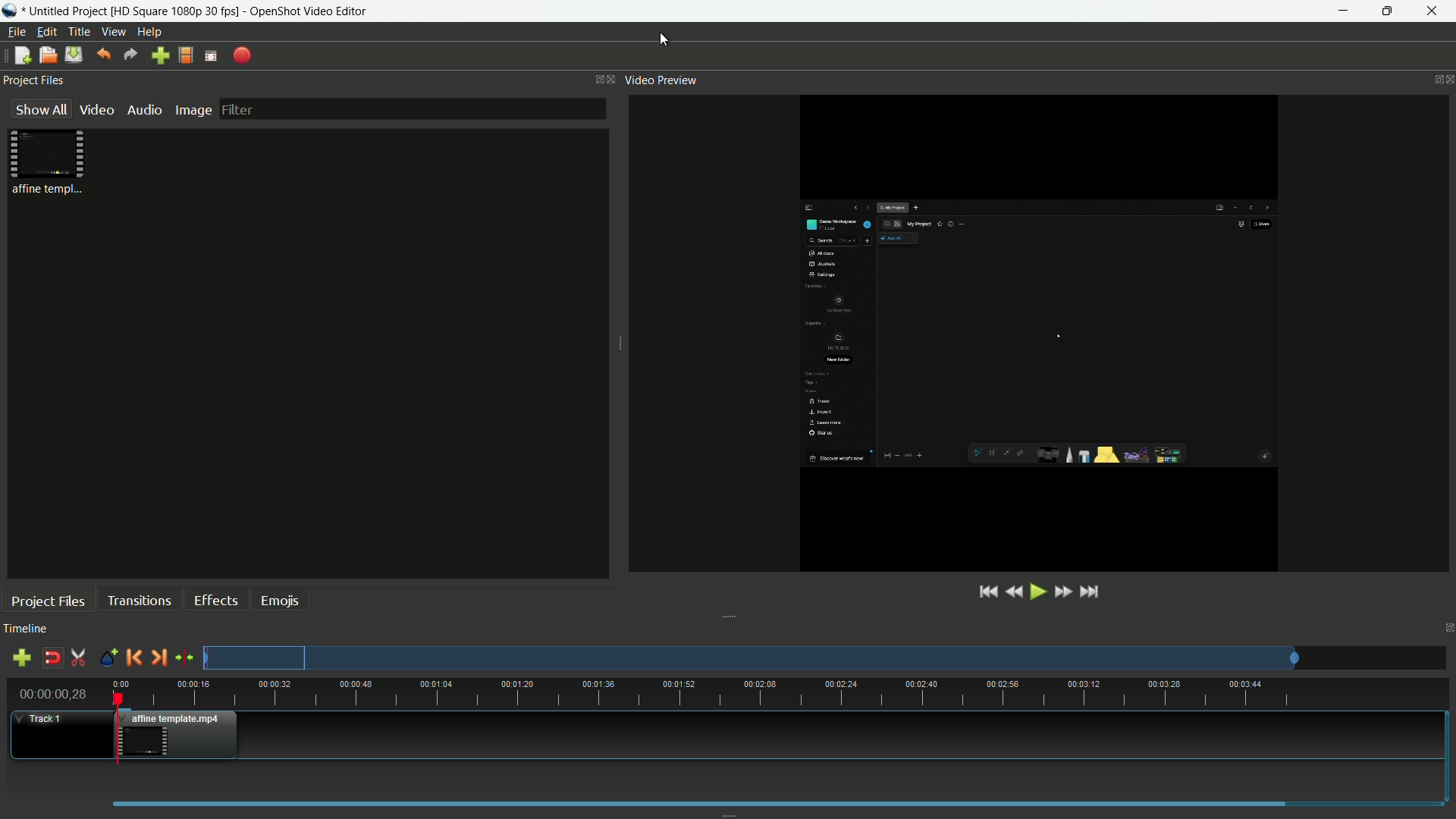 Image resolution: width=1456 pixels, height=819 pixels. Describe the element at coordinates (139, 600) in the screenshot. I see `transitions` at that location.